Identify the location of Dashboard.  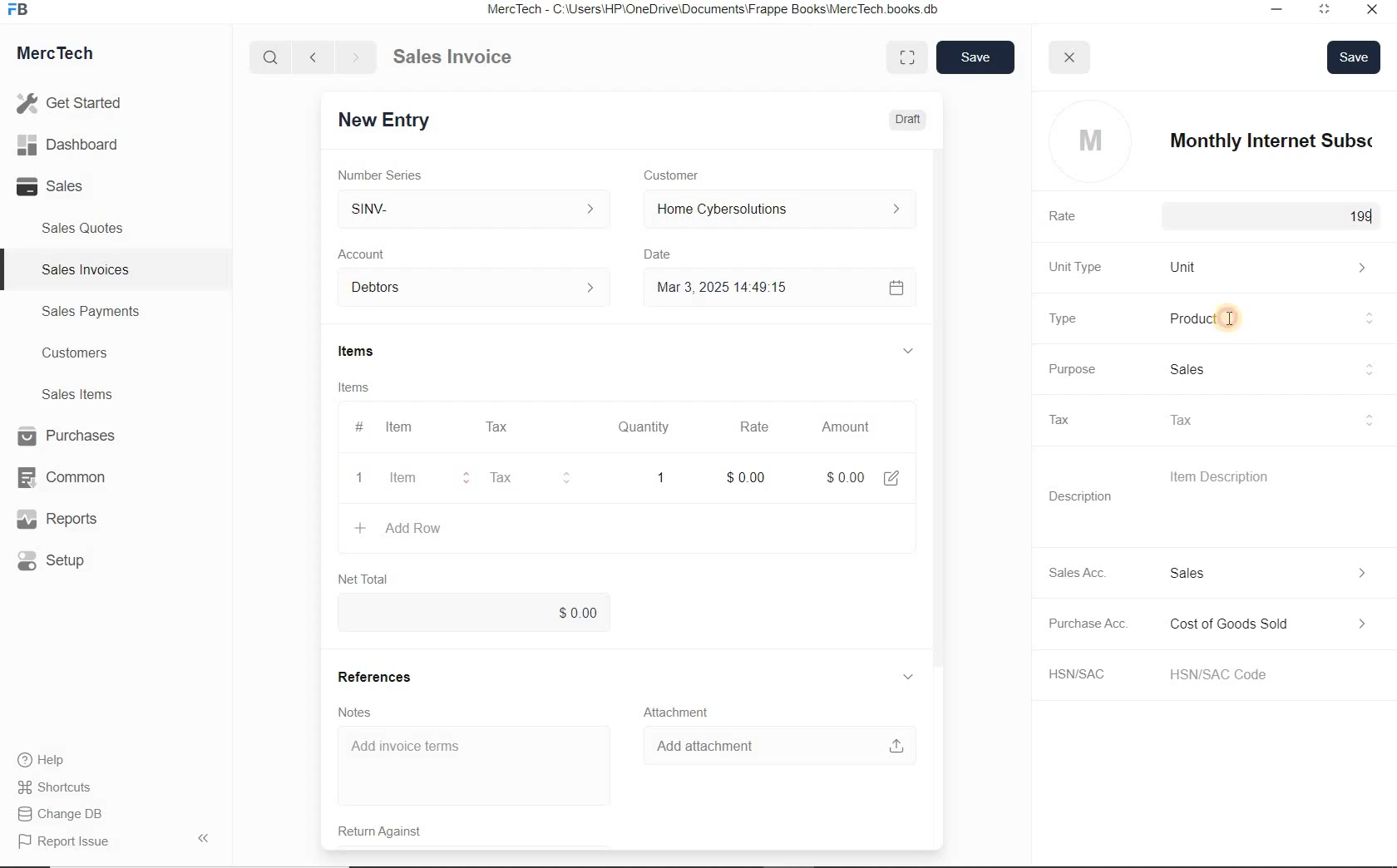
(76, 145).